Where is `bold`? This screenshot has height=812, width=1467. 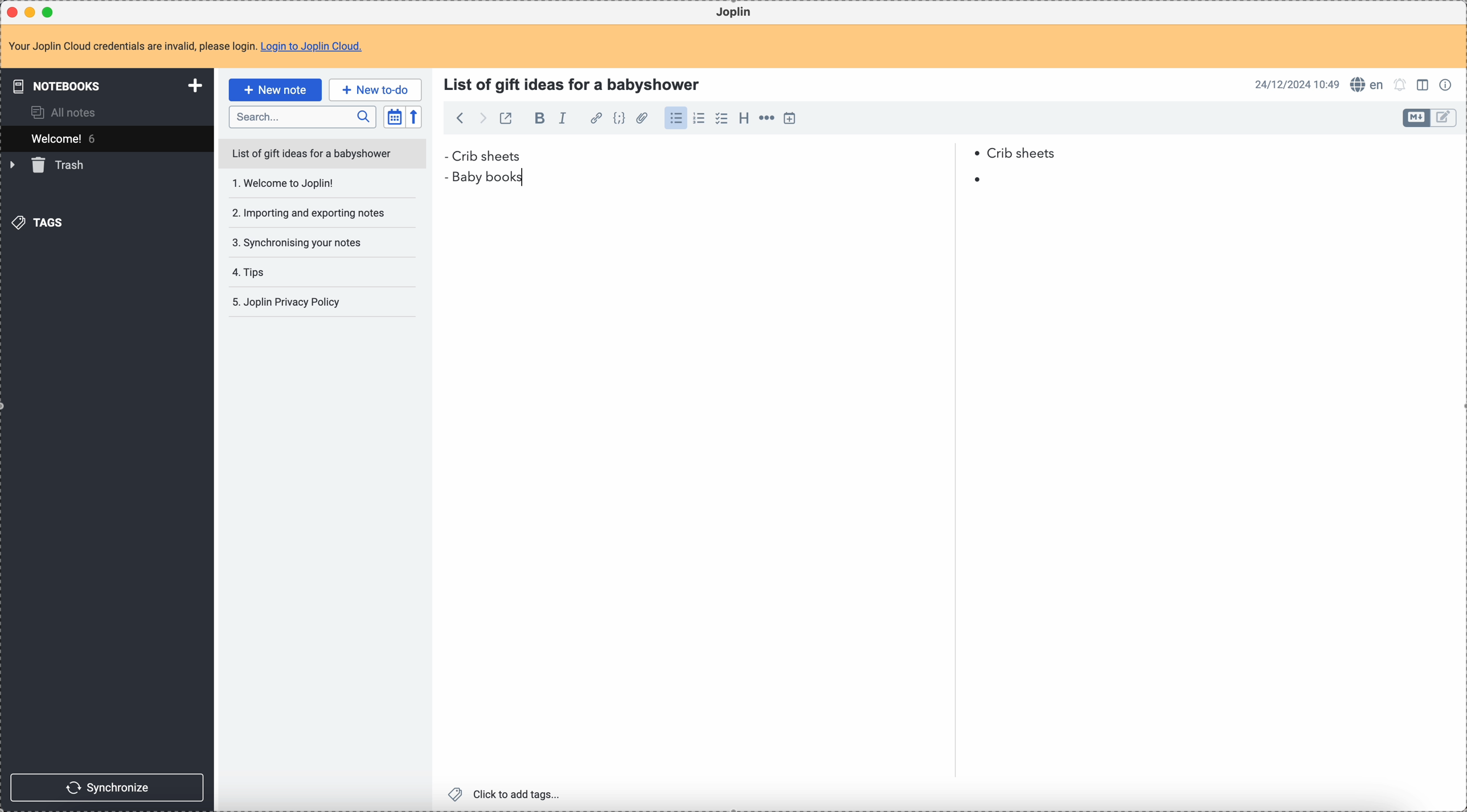
bold is located at coordinates (539, 120).